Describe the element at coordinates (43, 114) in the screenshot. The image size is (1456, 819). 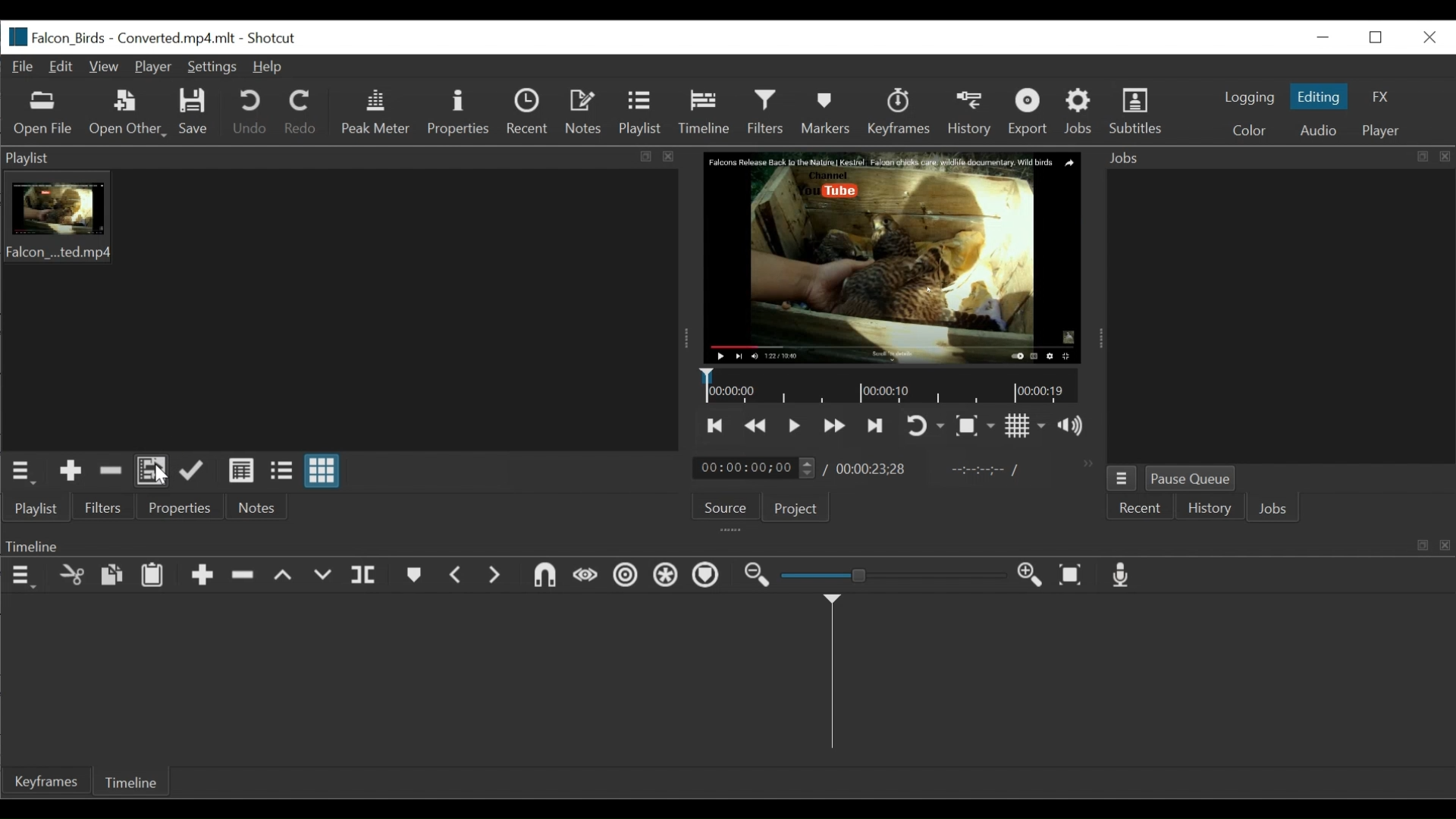
I see `Open Other File` at that location.